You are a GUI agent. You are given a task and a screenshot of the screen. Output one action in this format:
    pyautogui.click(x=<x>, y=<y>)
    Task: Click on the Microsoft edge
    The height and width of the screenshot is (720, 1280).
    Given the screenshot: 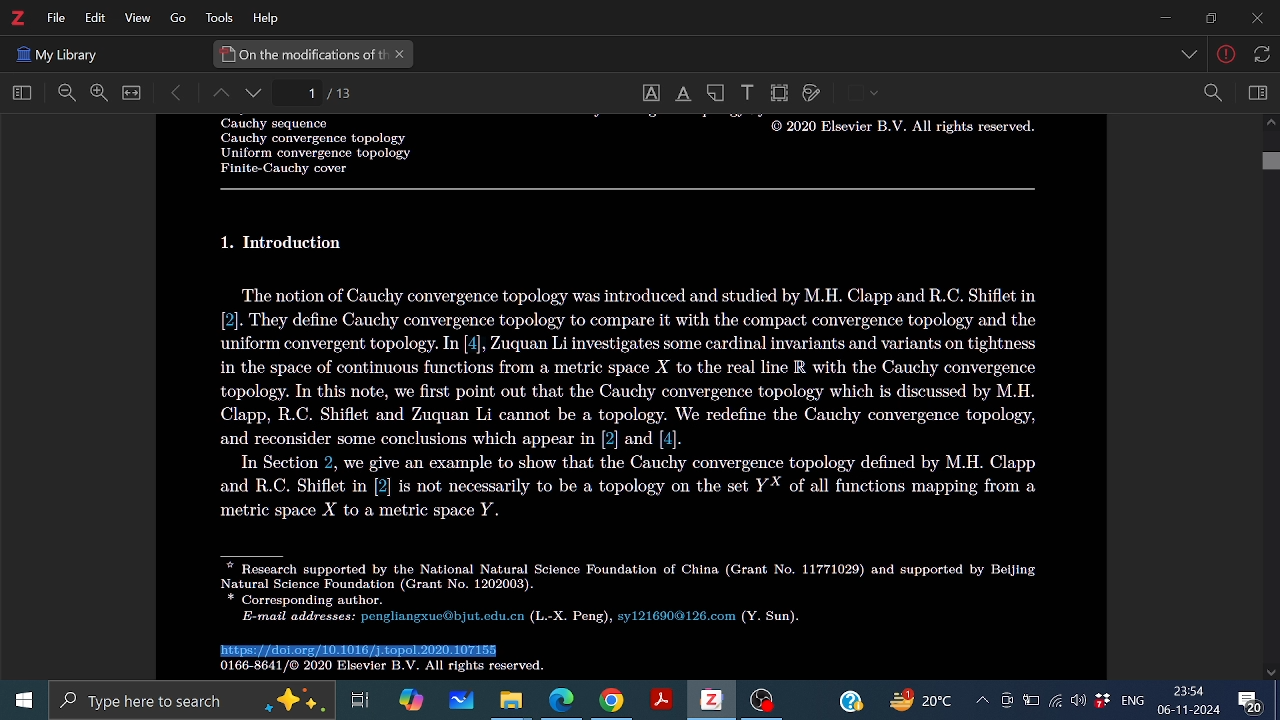 What is the action you would take?
    pyautogui.click(x=562, y=701)
    